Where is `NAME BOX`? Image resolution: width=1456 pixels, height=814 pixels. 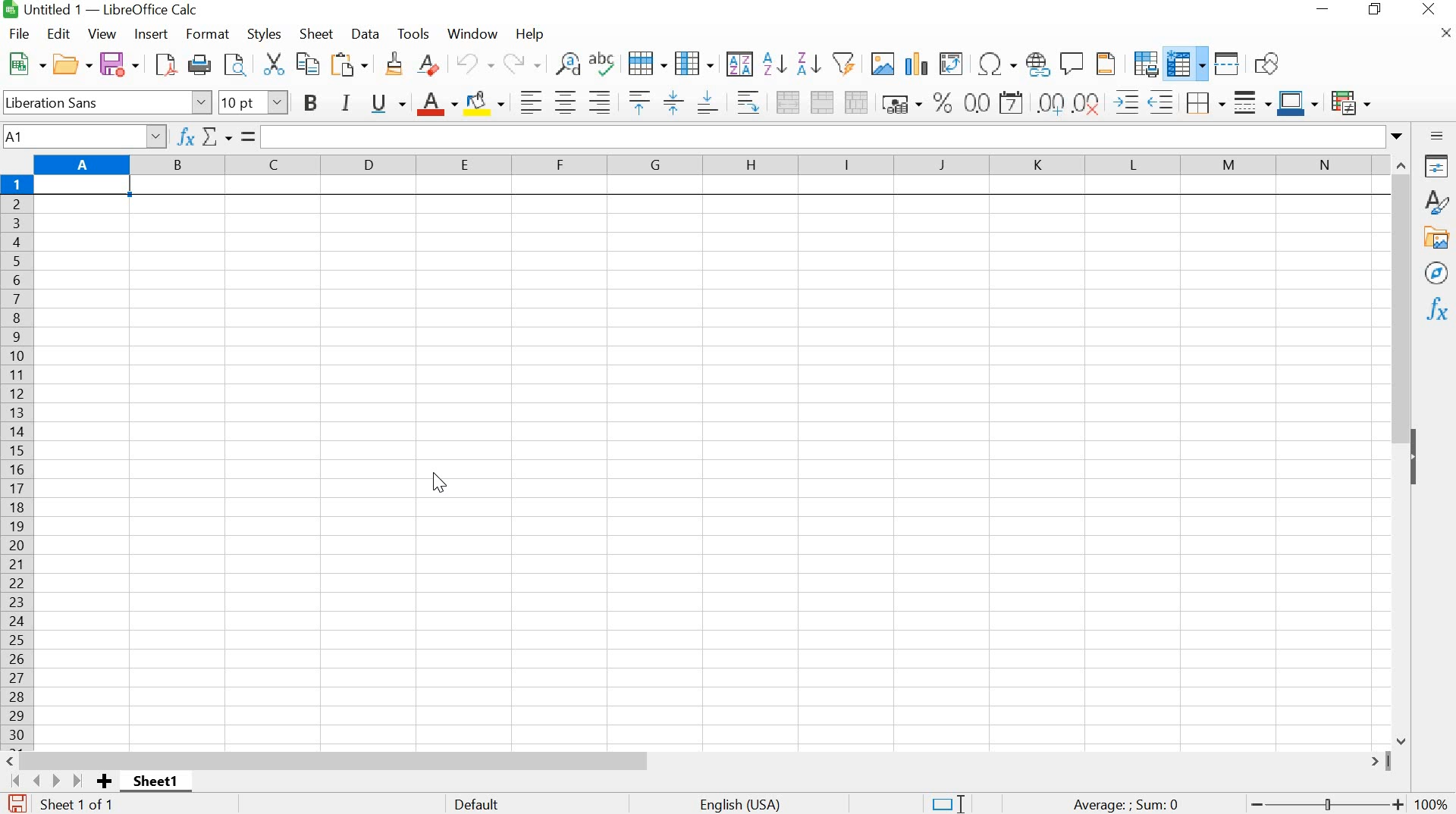
NAME BOX is located at coordinates (85, 135).